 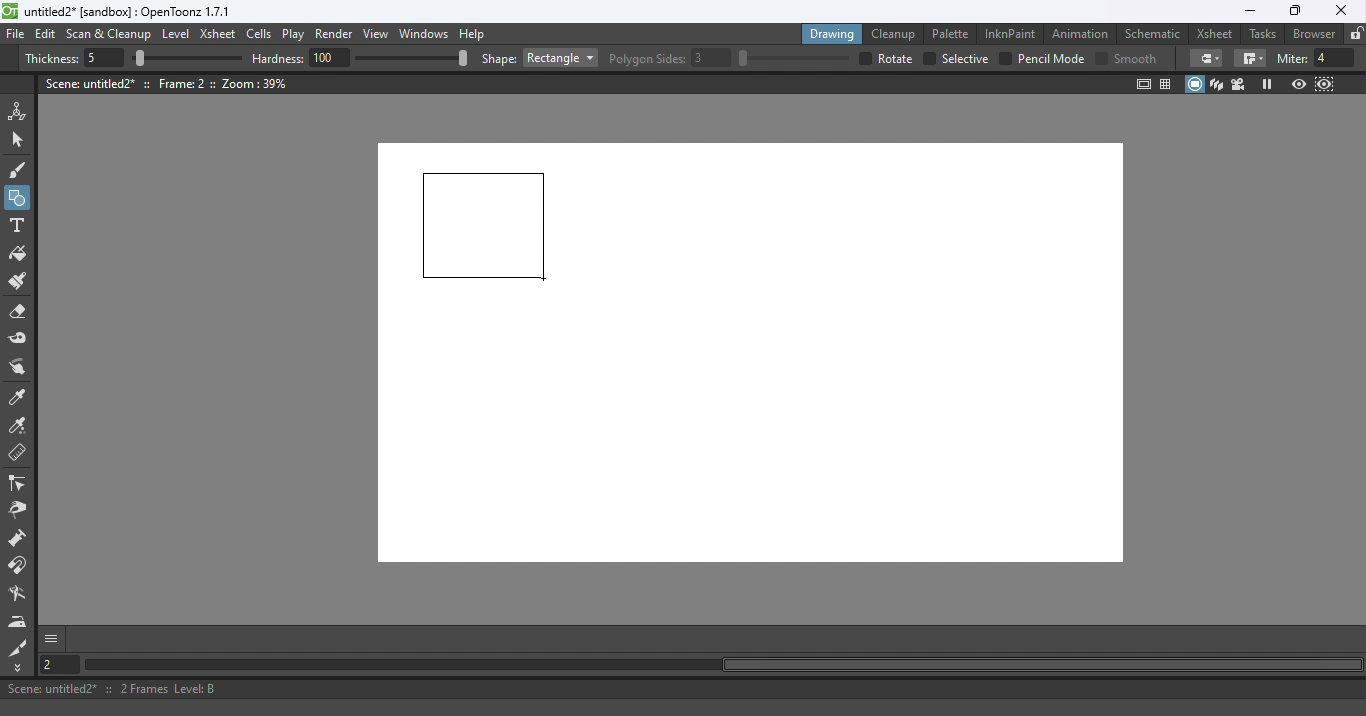 I want to click on Safe area, so click(x=1142, y=84).